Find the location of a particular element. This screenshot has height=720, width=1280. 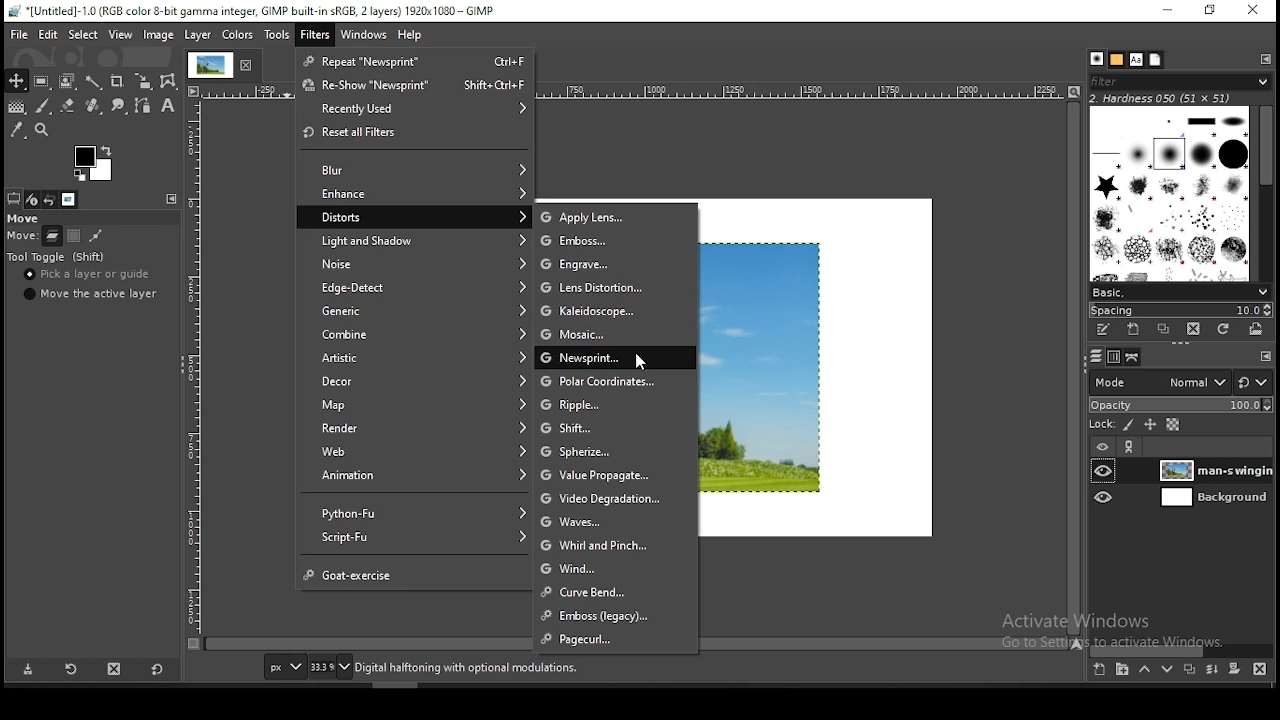

help is located at coordinates (409, 36).